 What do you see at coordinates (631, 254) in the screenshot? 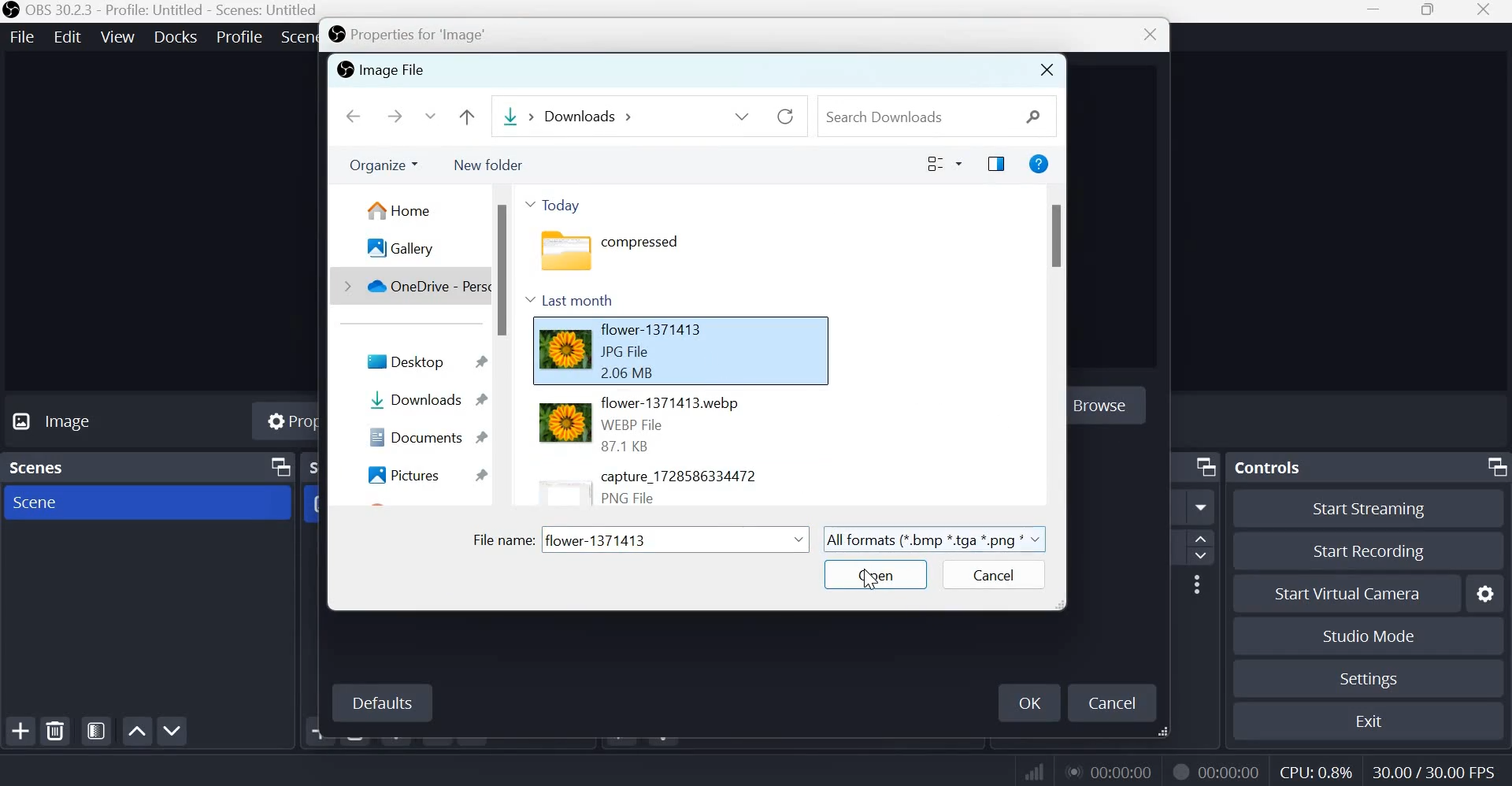
I see `compressed` at bounding box center [631, 254].